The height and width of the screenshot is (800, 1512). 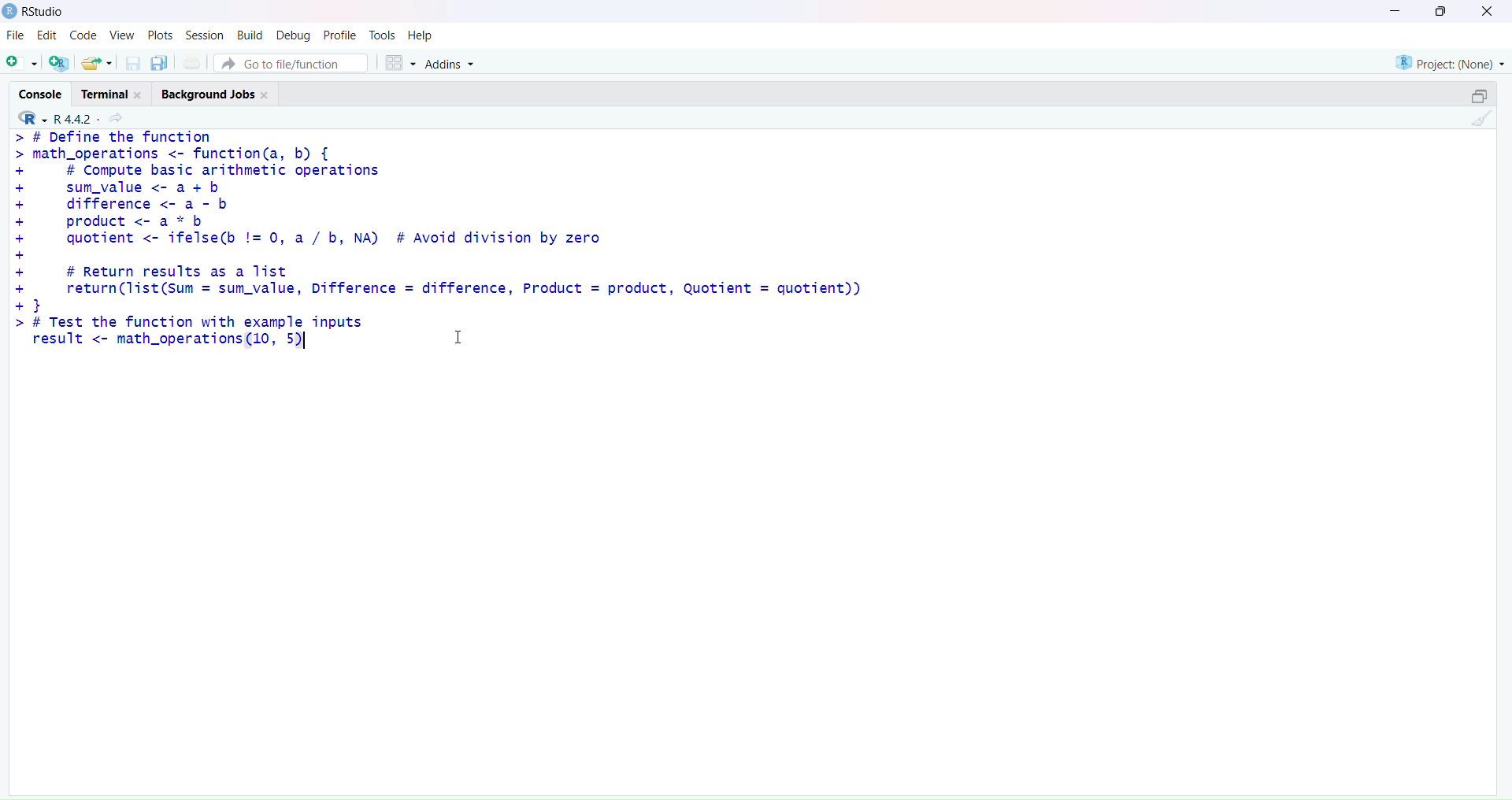 What do you see at coordinates (451, 65) in the screenshot?
I see `Addins` at bounding box center [451, 65].